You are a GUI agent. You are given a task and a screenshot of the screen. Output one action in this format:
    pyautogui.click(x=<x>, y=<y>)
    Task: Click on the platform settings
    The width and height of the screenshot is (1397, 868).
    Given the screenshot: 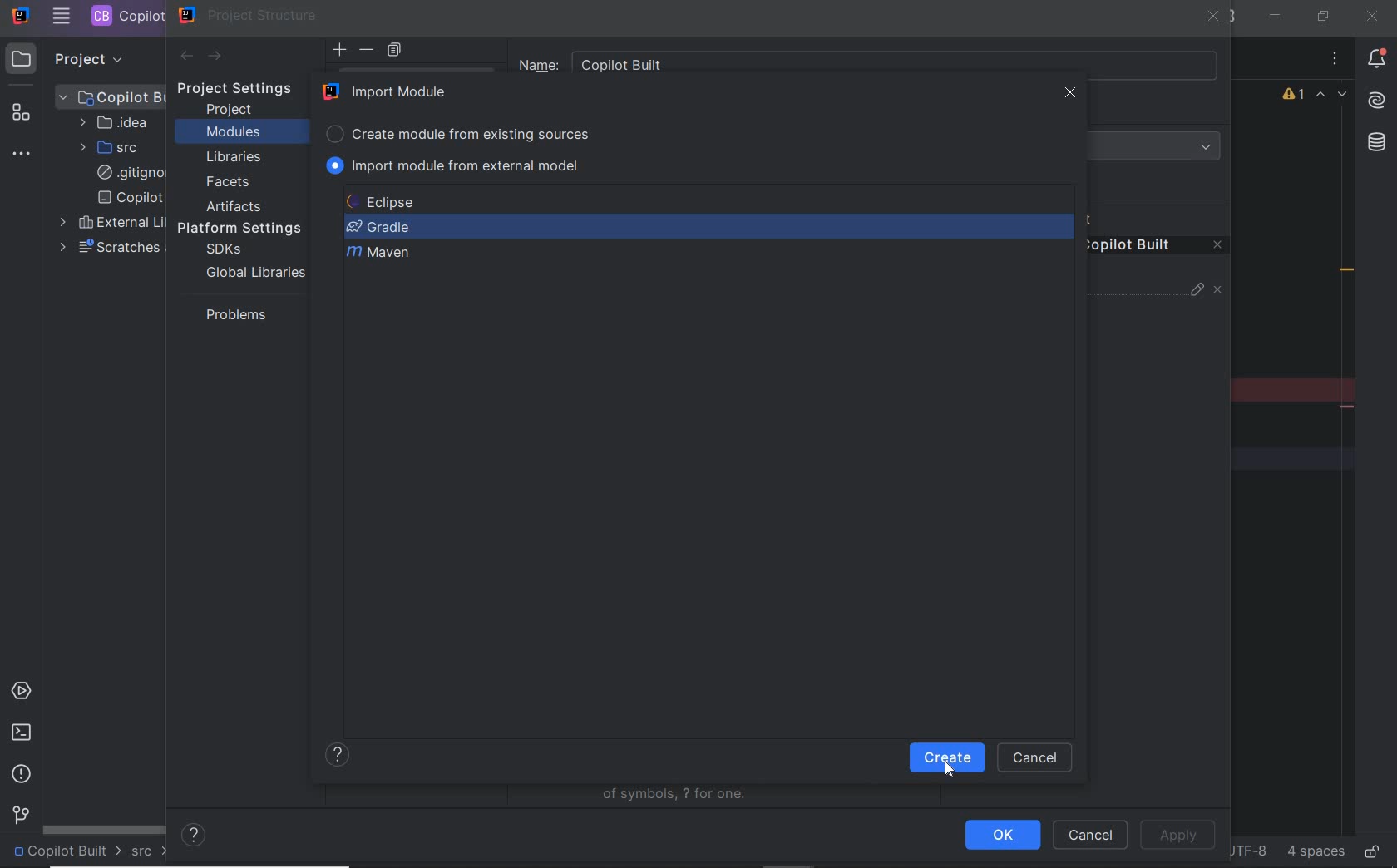 What is the action you would take?
    pyautogui.click(x=245, y=229)
    